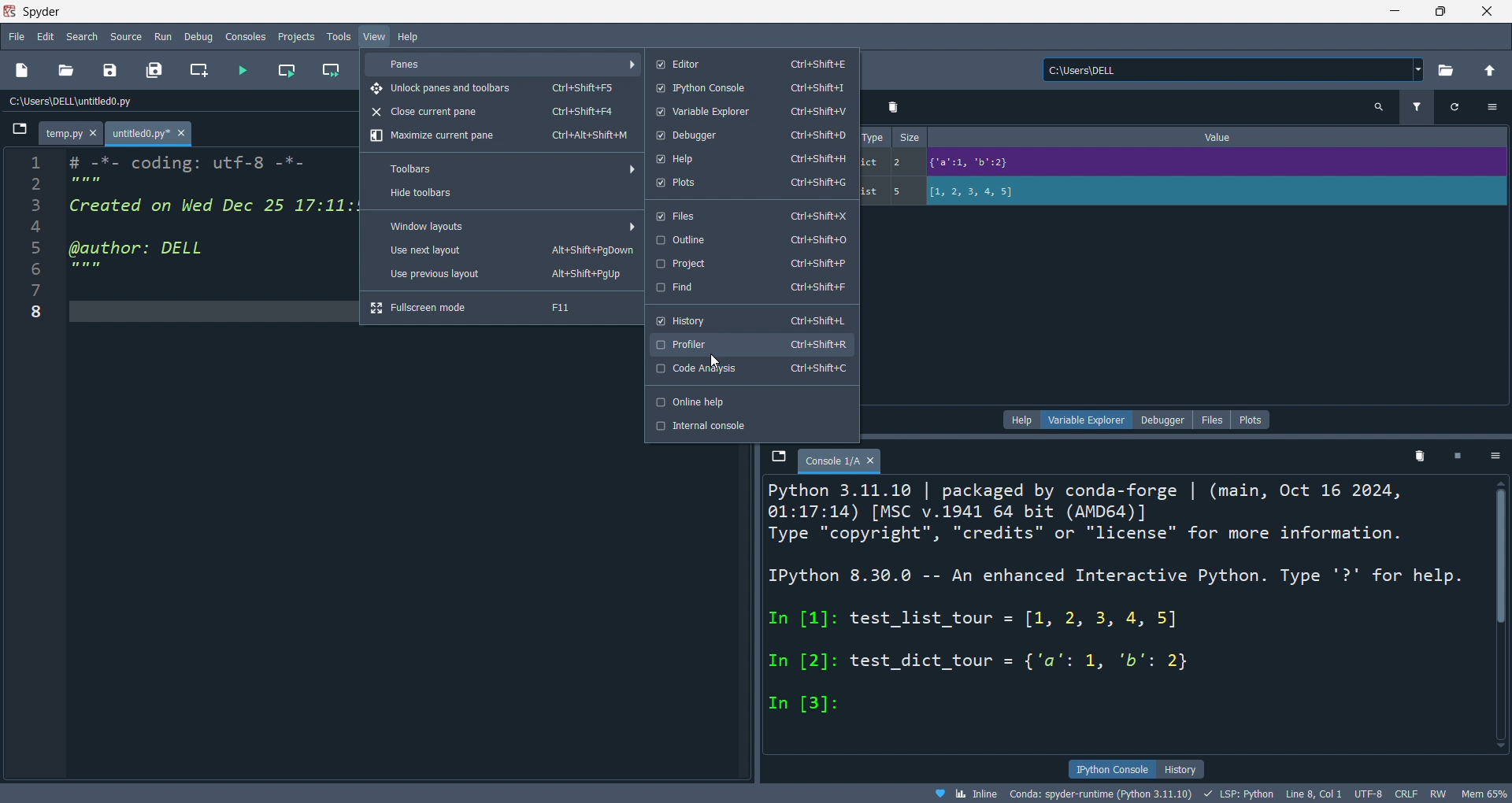 The width and height of the screenshot is (1512, 803). What do you see at coordinates (1498, 614) in the screenshot?
I see `vertical scrollbar` at bounding box center [1498, 614].